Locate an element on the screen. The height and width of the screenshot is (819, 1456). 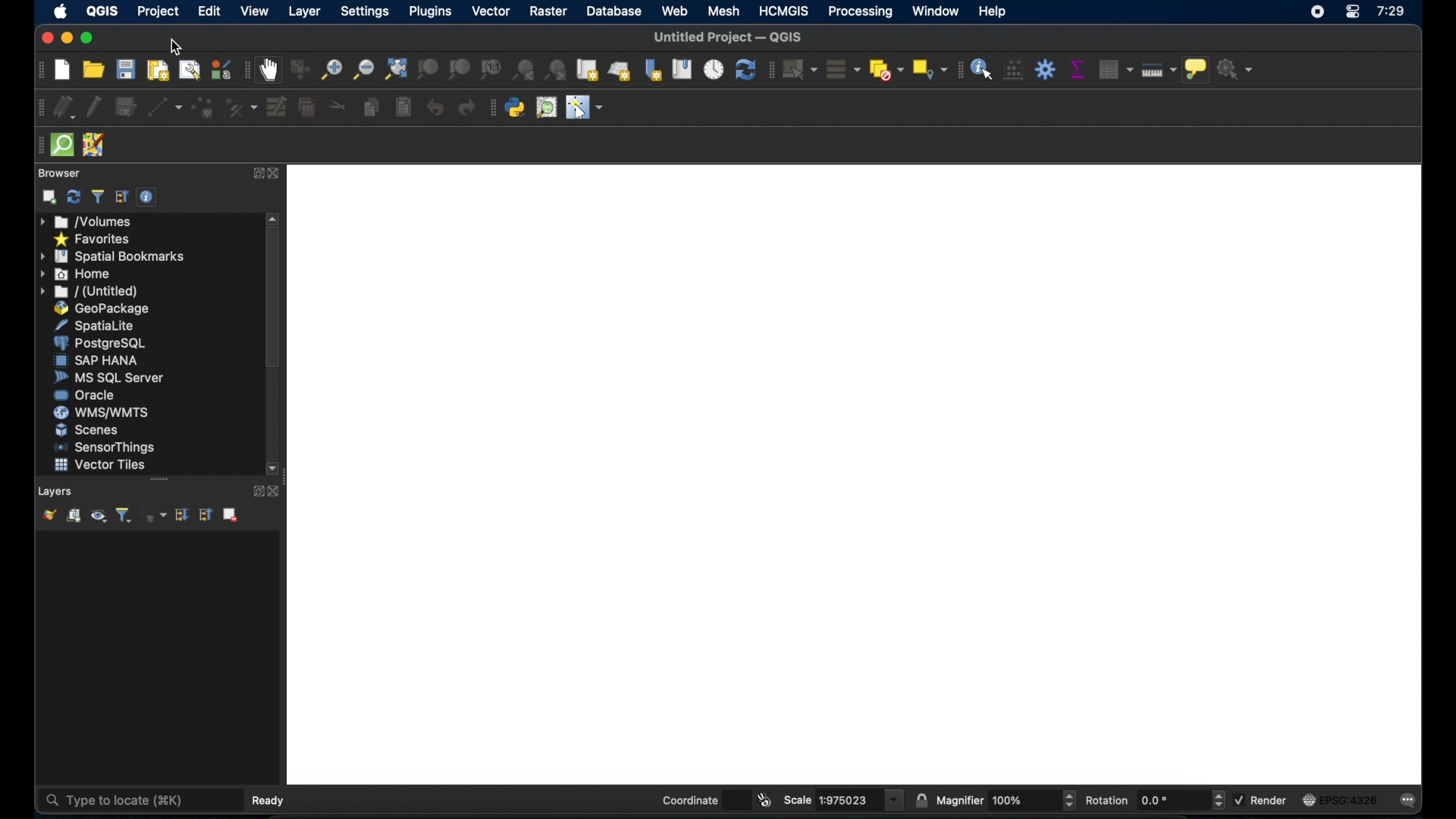
browser is located at coordinates (58, 173).